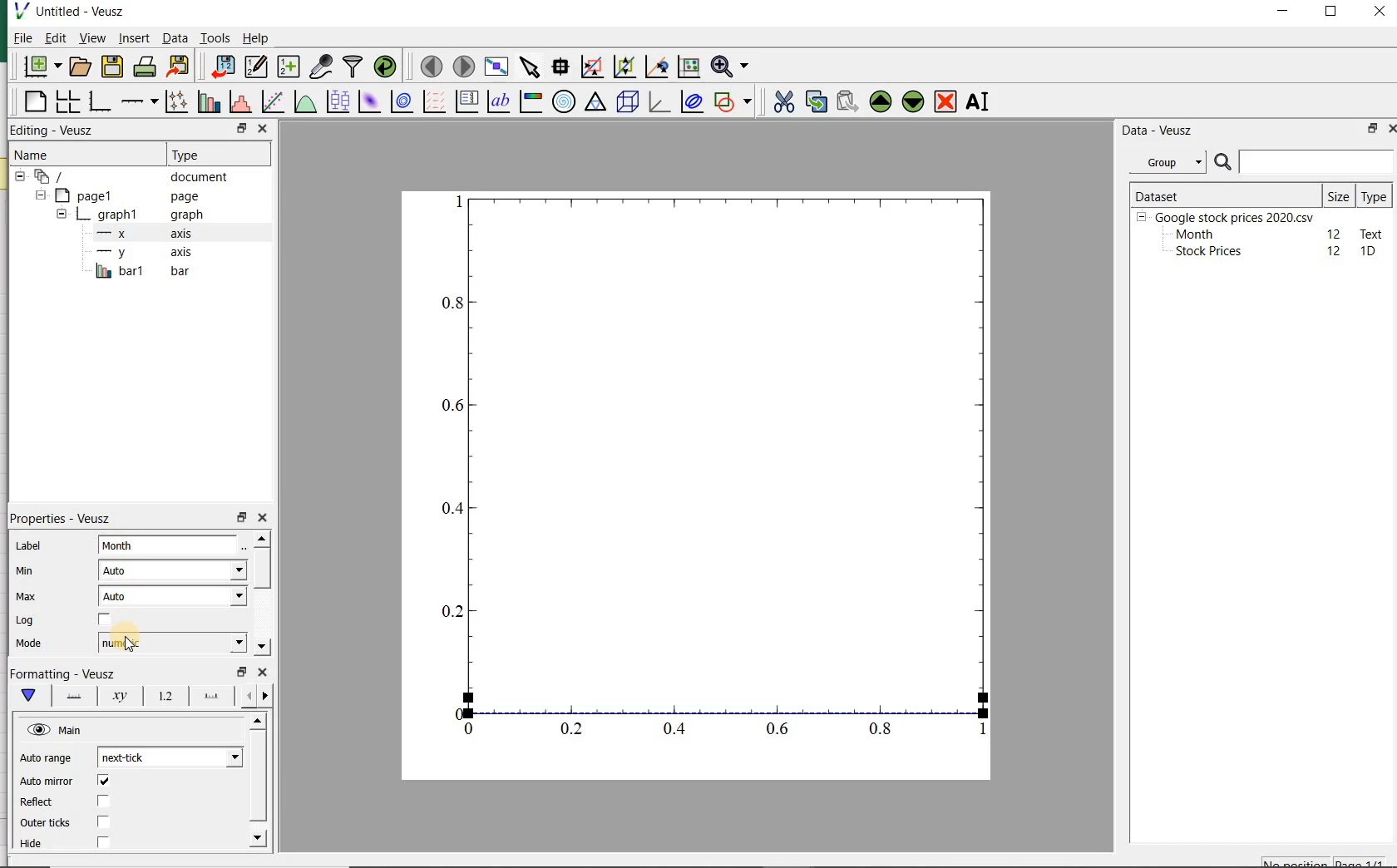 The width and height of the screenshot is (1397, 868). What do you see at coordinates (27, 598) in the screenshot?
I see `Max` at bounding box center [27, 598].